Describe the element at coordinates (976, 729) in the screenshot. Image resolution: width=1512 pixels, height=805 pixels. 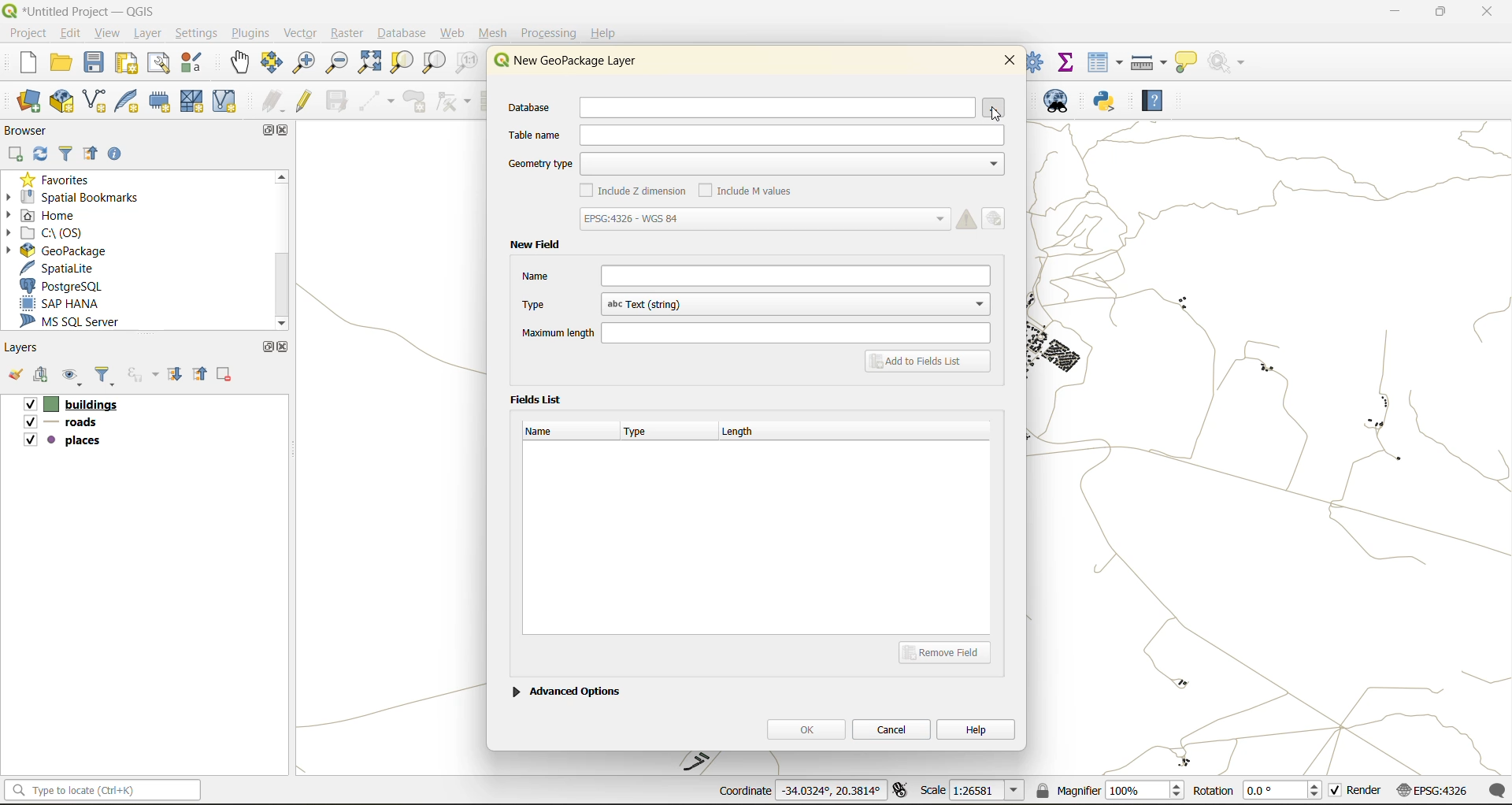
I see `help` at that location.